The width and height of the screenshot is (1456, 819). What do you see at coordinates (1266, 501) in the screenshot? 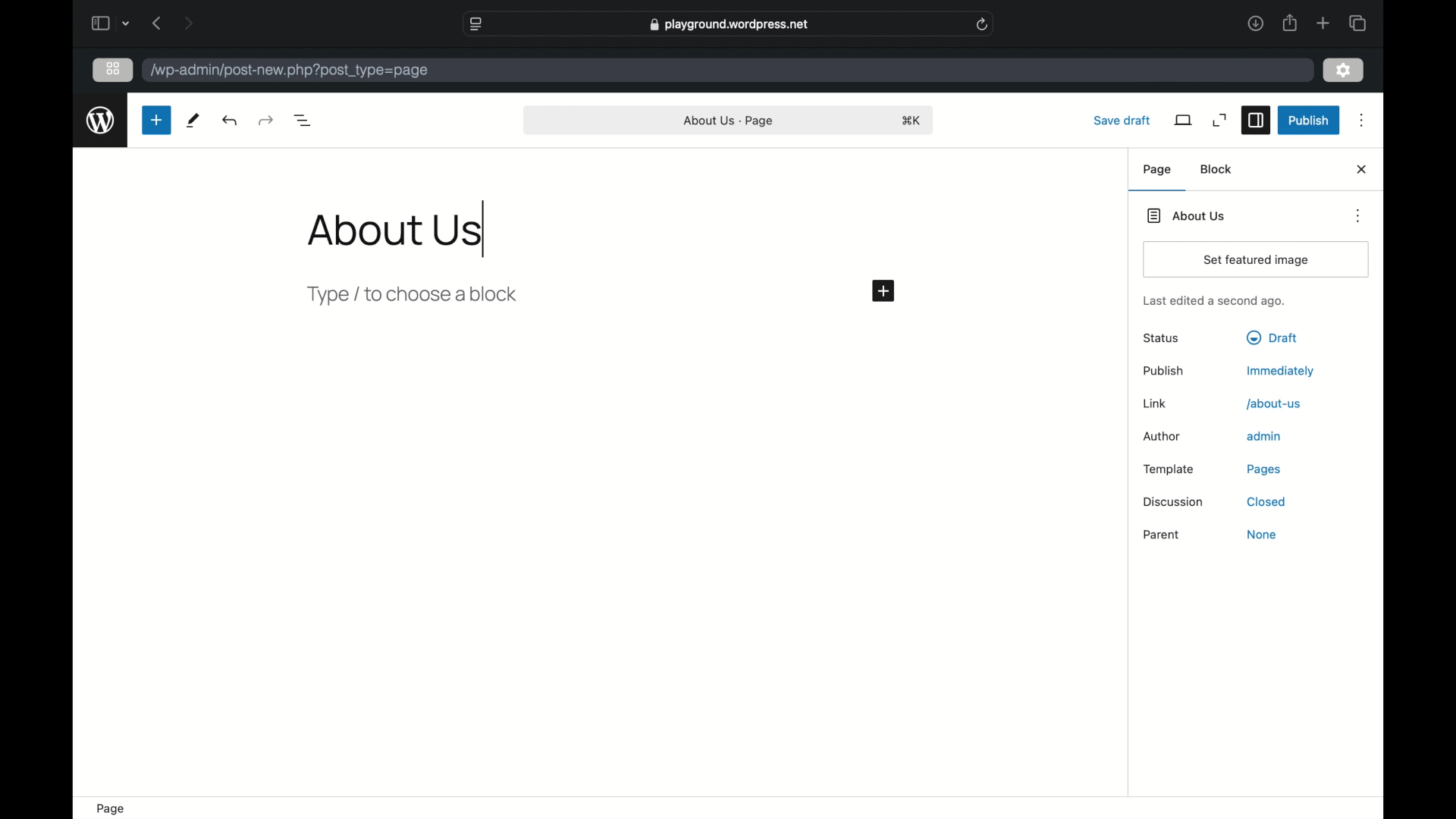
I see `closed` at bounding box center [1266, 501].